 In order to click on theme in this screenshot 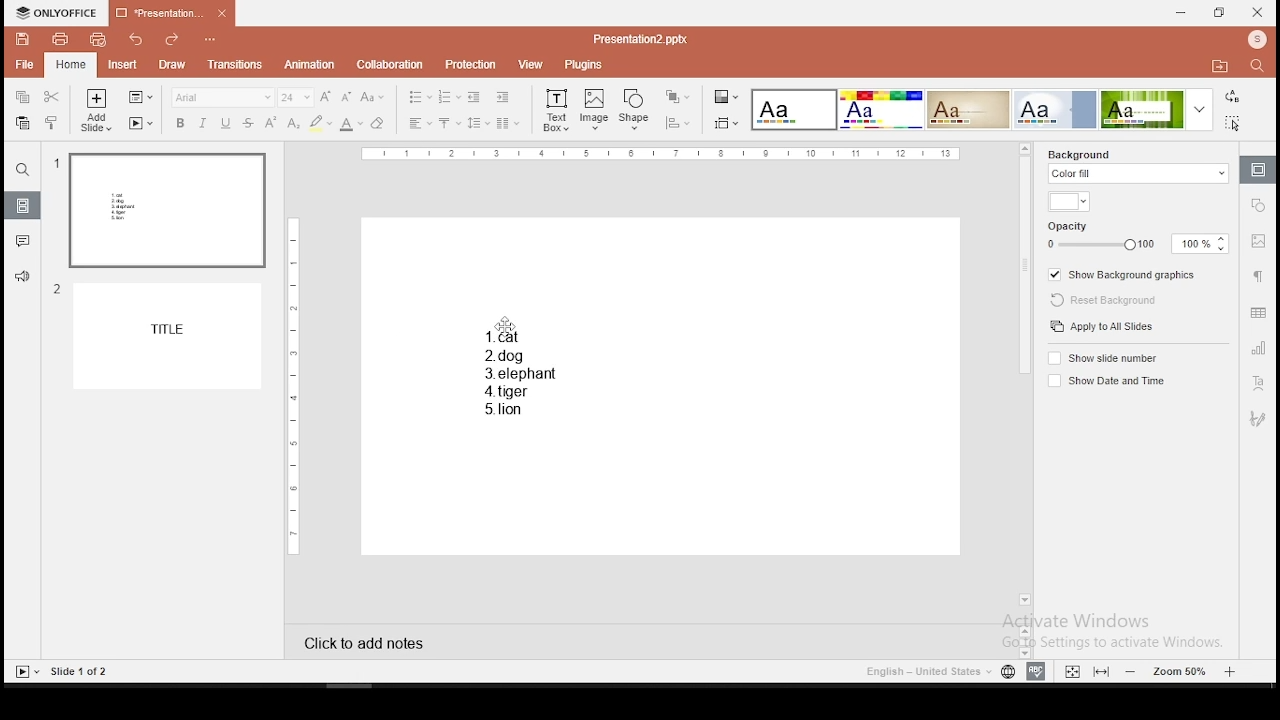, I will do `click(1157, 109)`.